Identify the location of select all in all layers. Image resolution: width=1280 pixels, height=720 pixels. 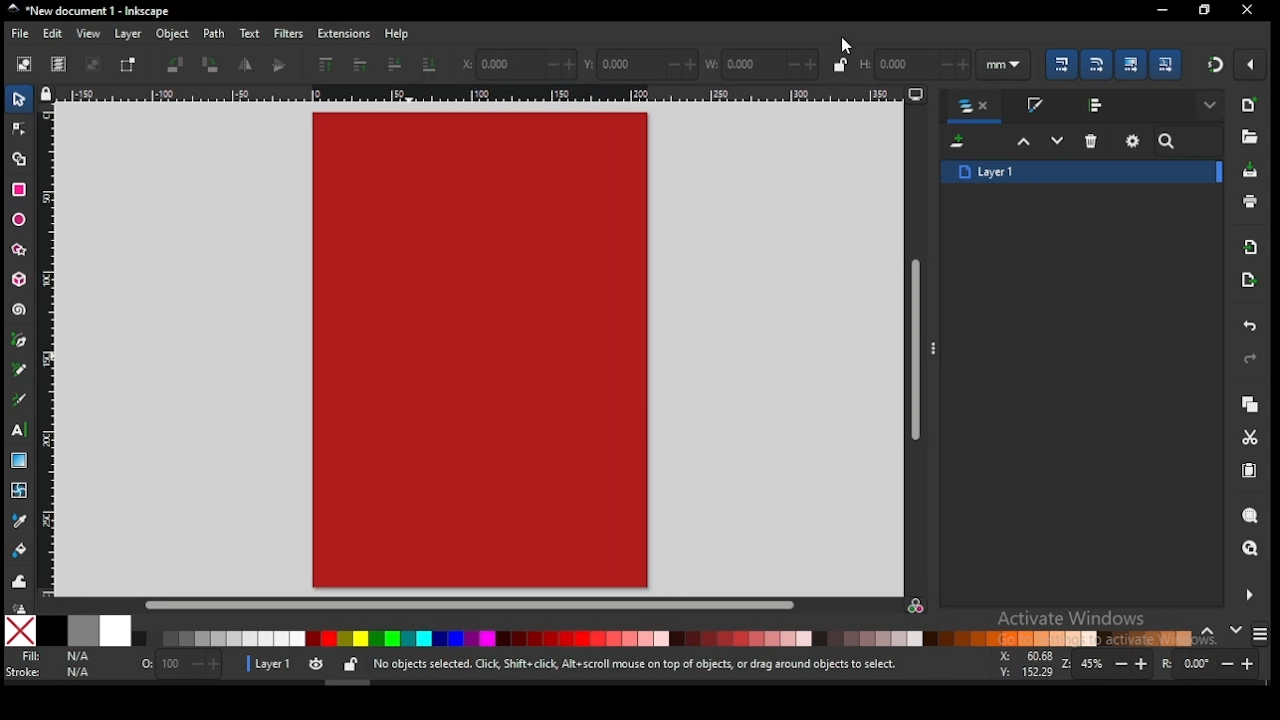
(59, 65).